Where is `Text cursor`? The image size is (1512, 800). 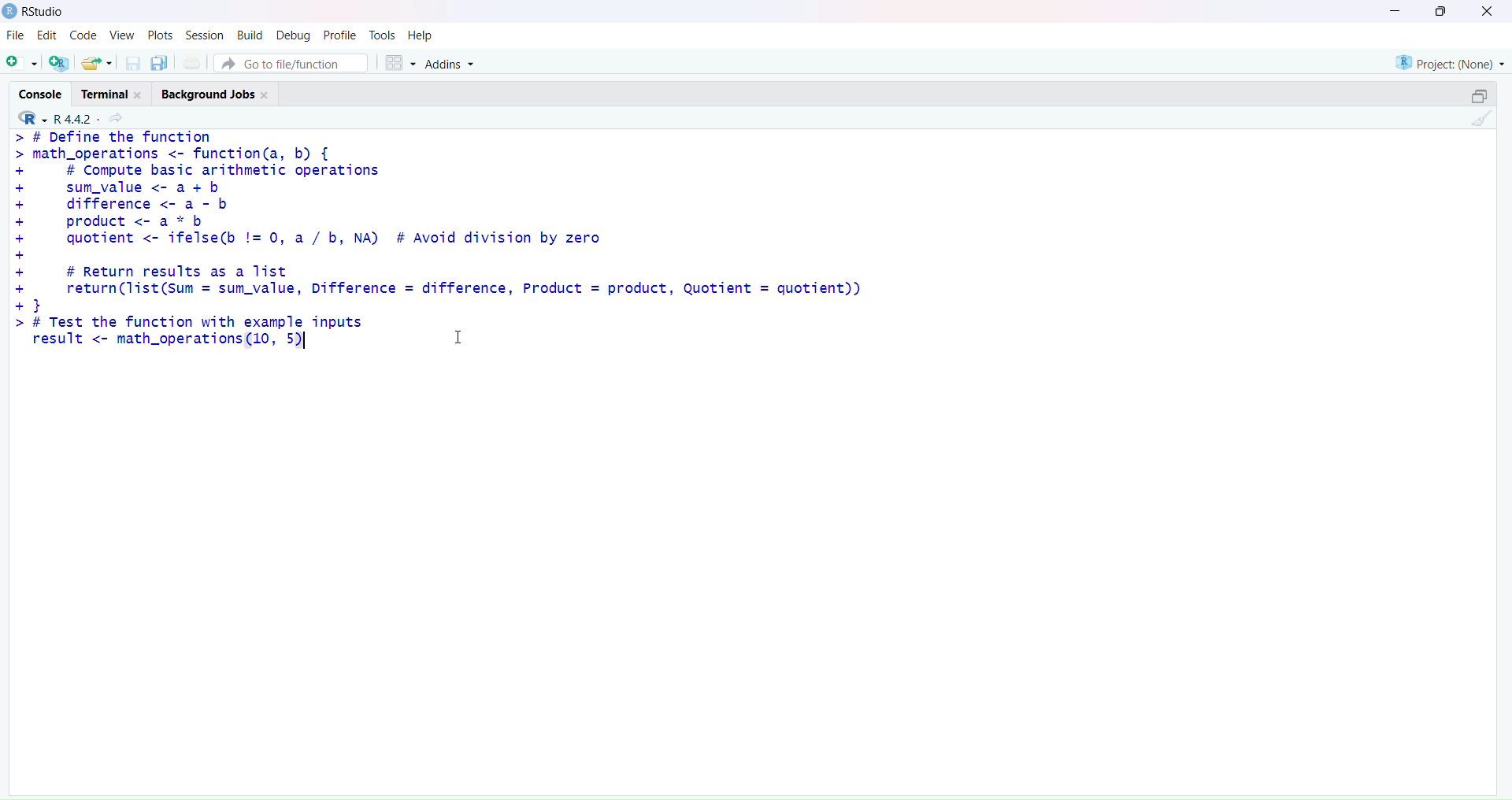
Text cursor is located at coordinates (462, 335).